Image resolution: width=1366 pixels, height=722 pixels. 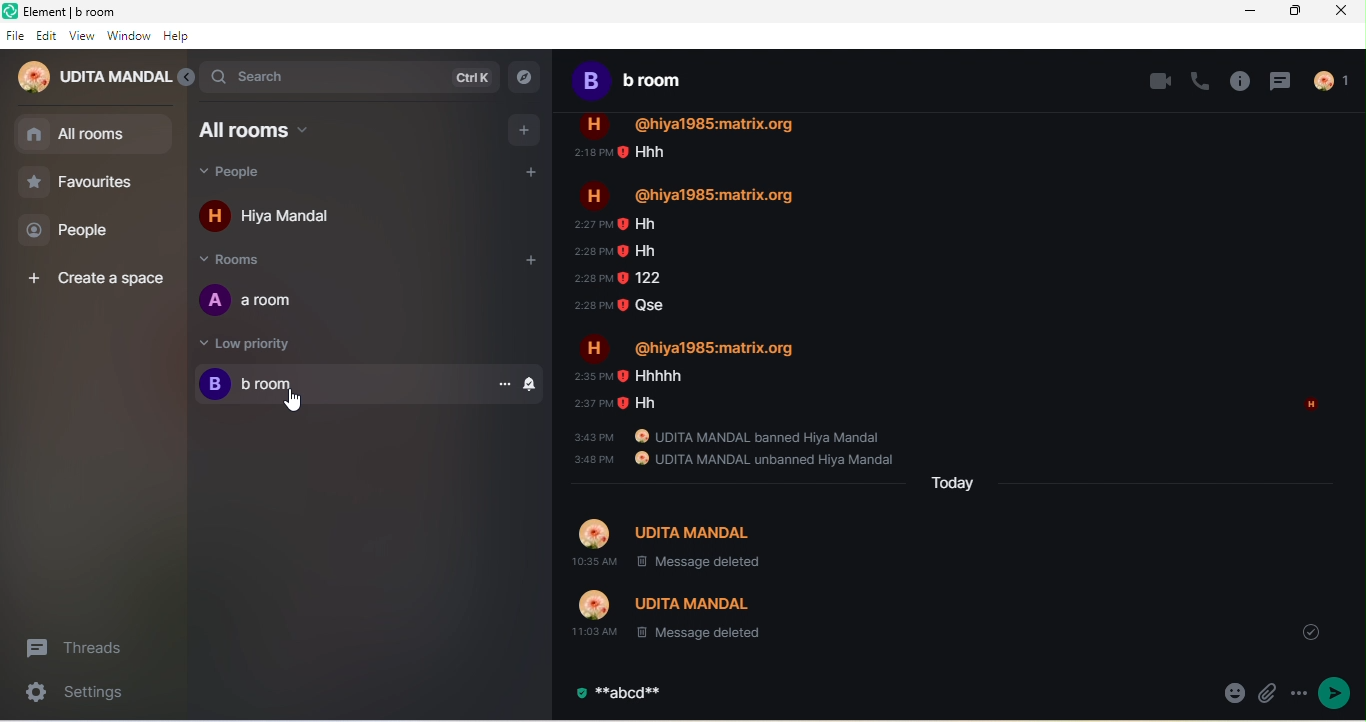 What do you see at coordinates (350, 77) in the screenshot?
I see `search` at bounding box center [350, 77].